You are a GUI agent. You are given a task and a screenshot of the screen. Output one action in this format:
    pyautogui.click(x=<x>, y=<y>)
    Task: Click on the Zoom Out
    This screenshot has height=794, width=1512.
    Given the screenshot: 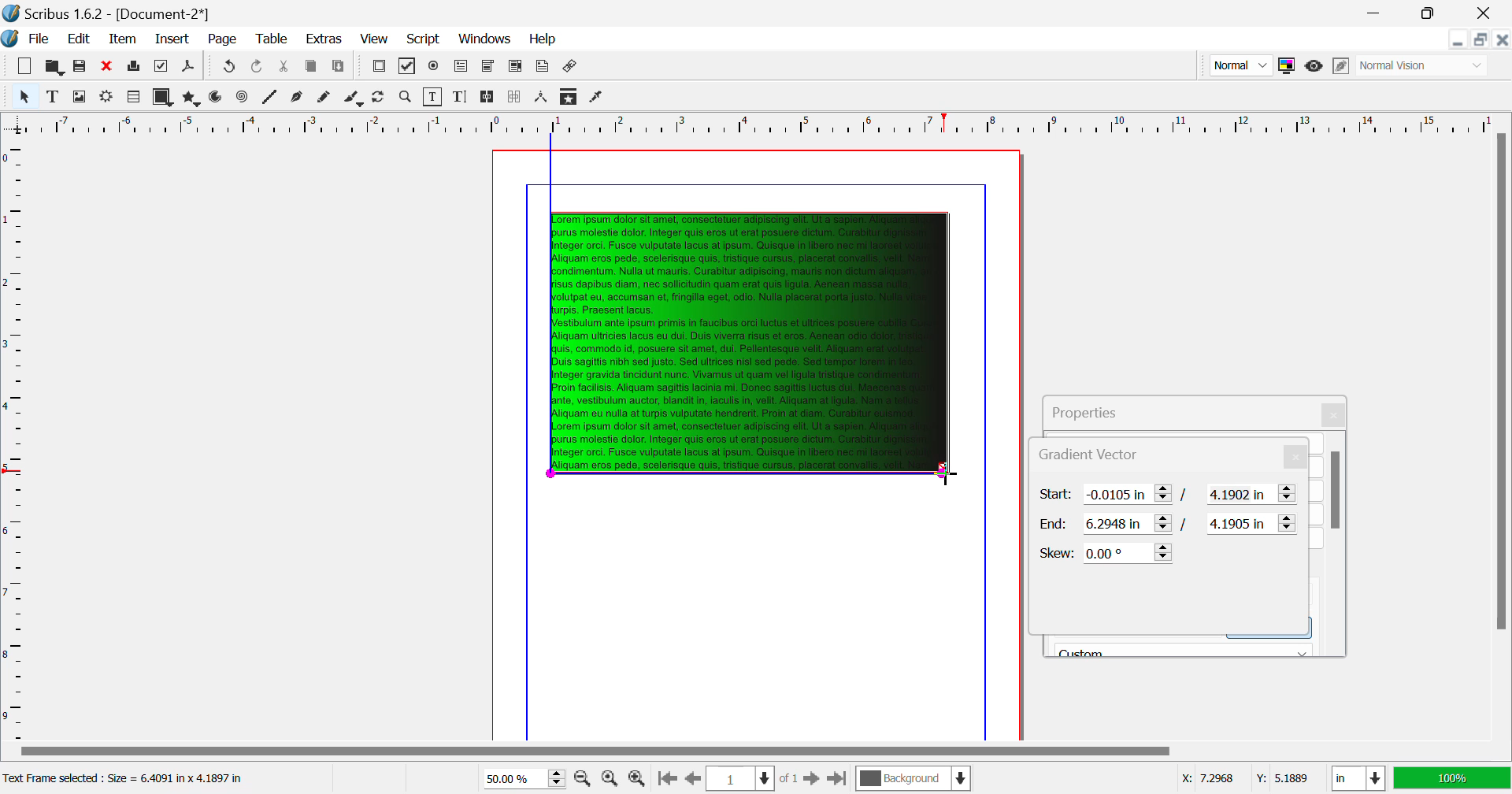 What is the action you would take?
    pyautogui.click(x=584, y=777)
    